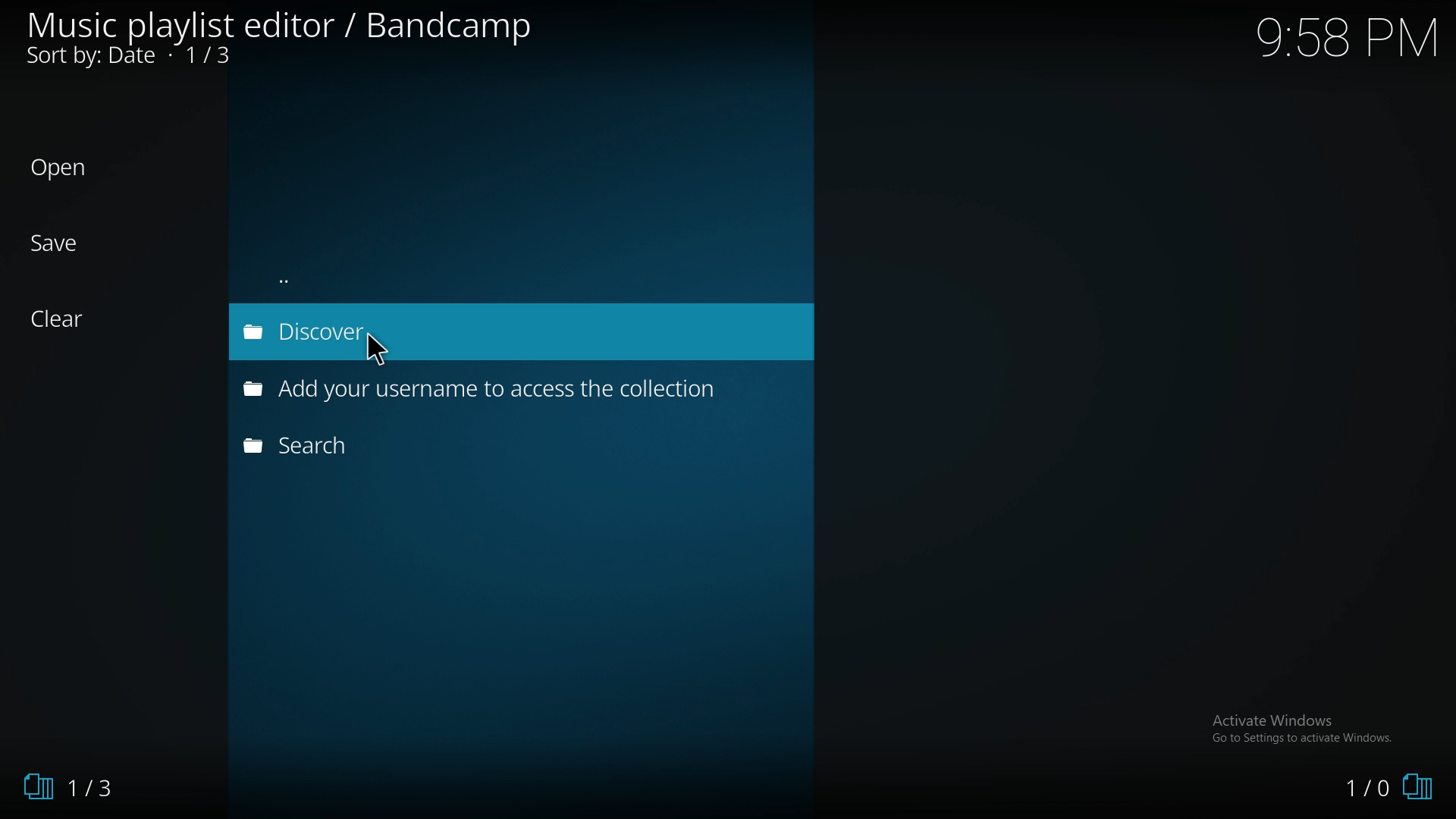 The image size is (1456, 819). What do you see at coordinates (384, 351) in the screenshot?
I see `pointer cursor` at bounding box center [384, 351].